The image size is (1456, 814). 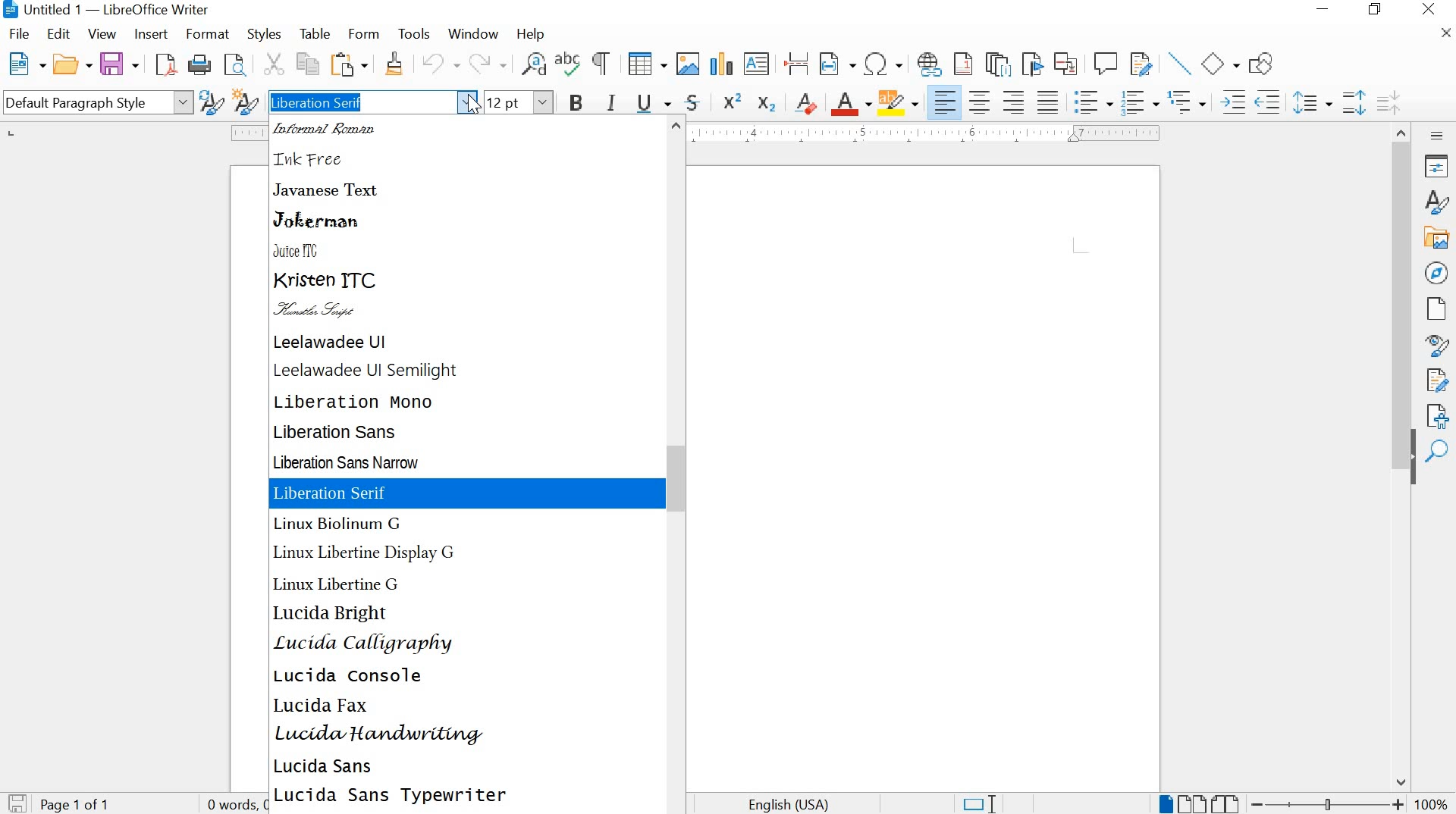 What do you see at coordinates (1437, 202) in the screenshot?
I see `STYLES` at bounding box center [1437, 202].